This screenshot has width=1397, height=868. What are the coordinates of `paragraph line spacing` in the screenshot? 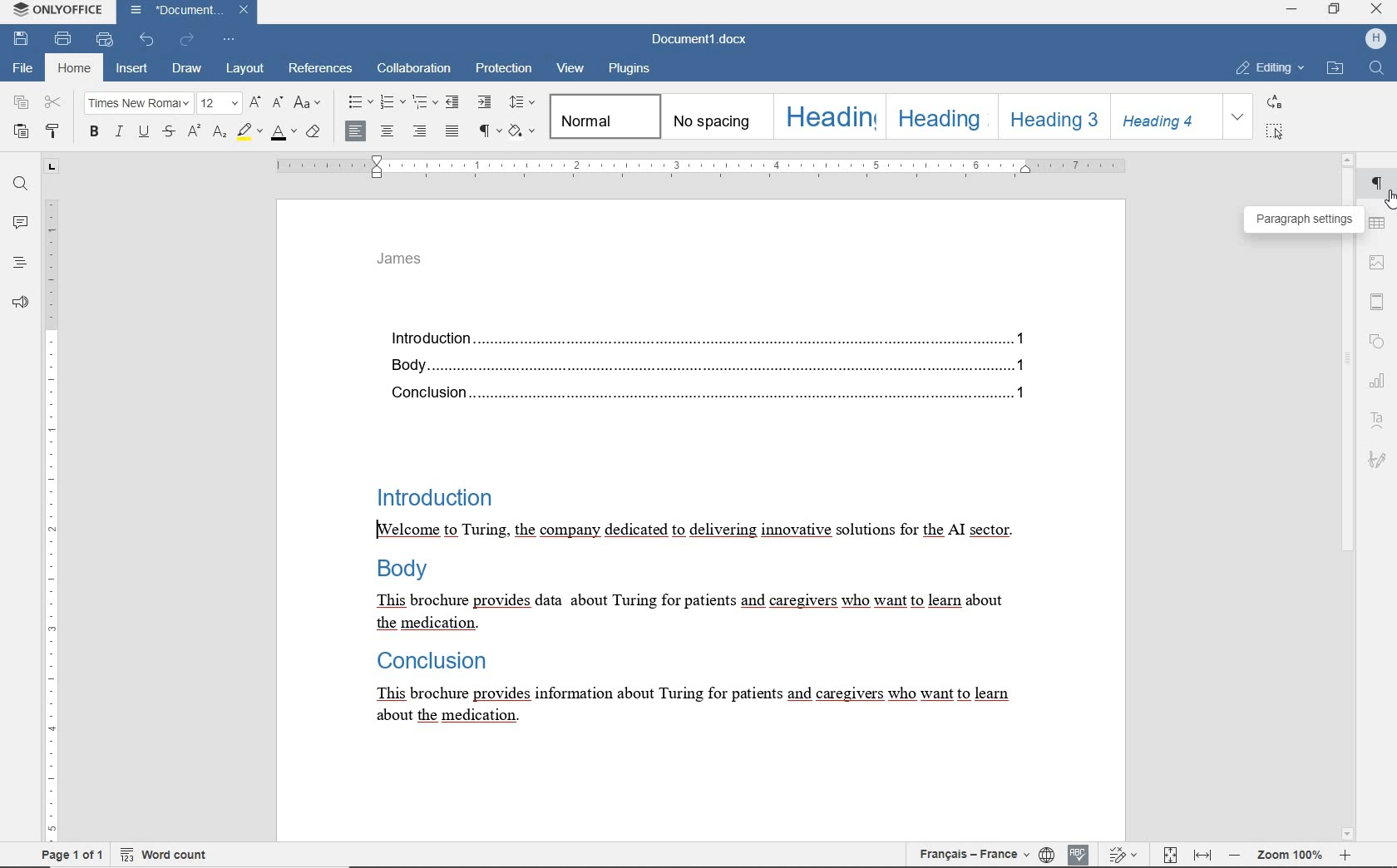 It's located at (522, 102).